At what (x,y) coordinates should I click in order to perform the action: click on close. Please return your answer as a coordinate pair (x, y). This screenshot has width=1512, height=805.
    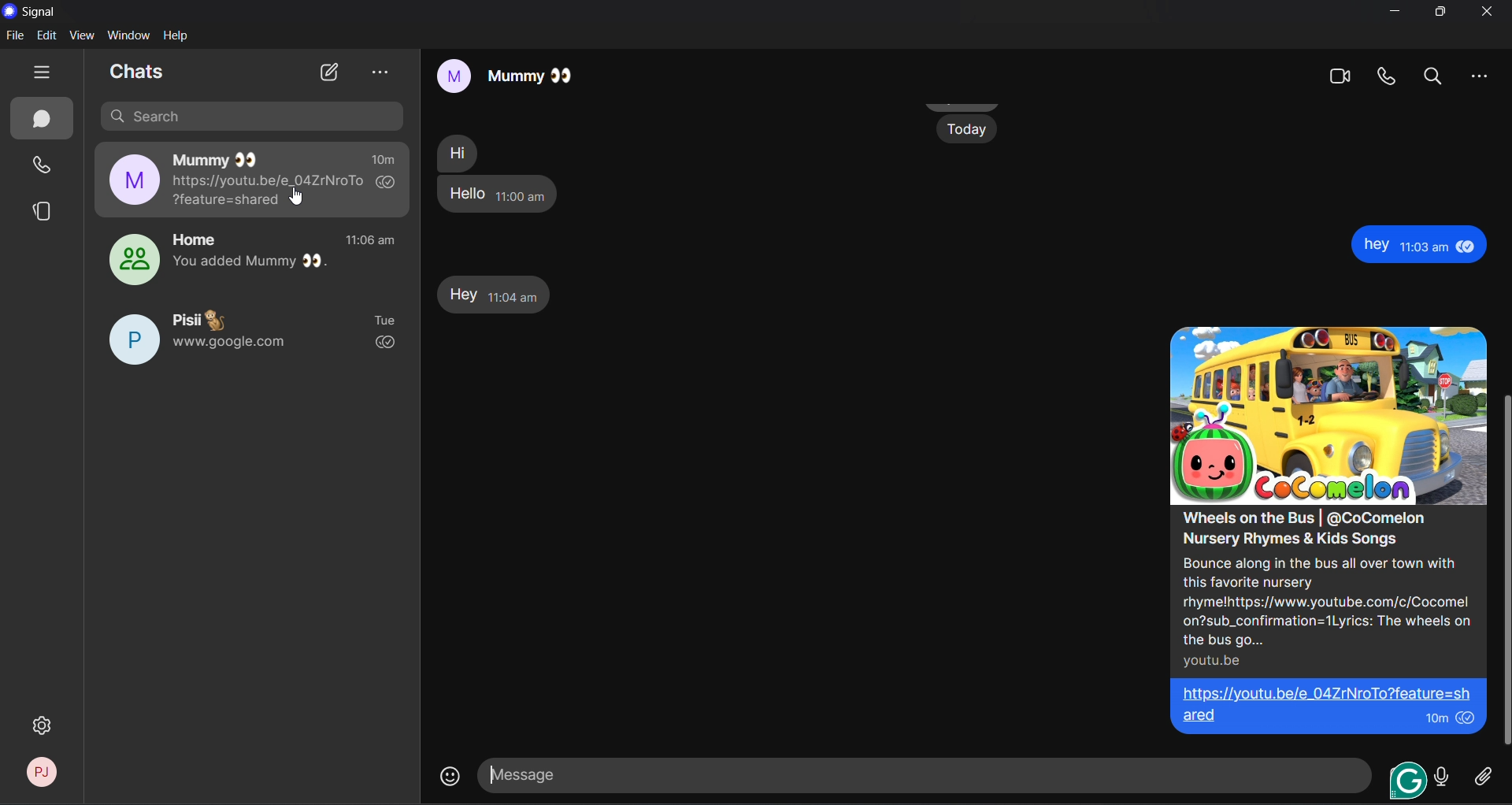
    Looking at the image, I should click on (1487, 13).